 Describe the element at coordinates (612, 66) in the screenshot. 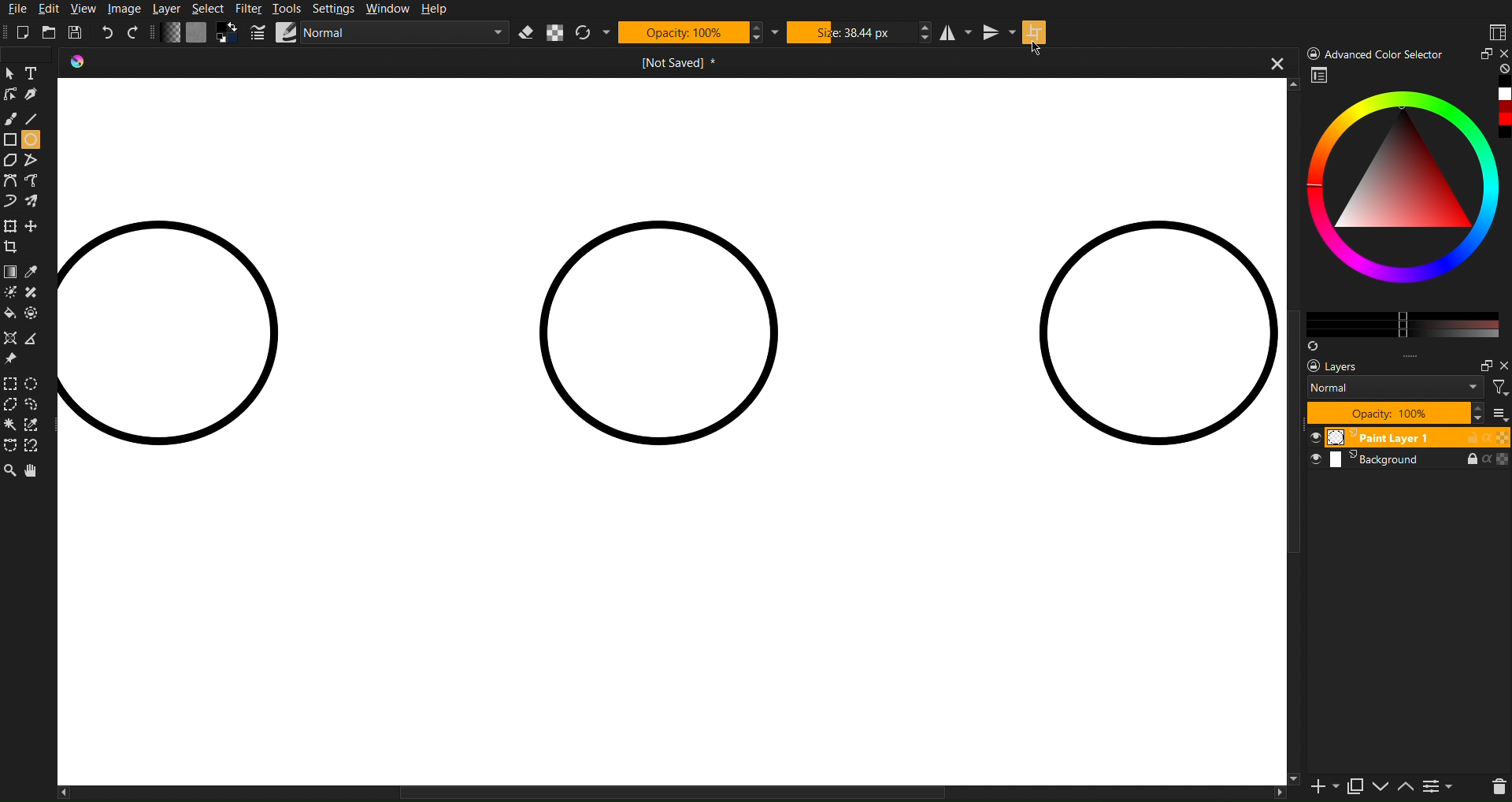

I see `Current Document` at that location.